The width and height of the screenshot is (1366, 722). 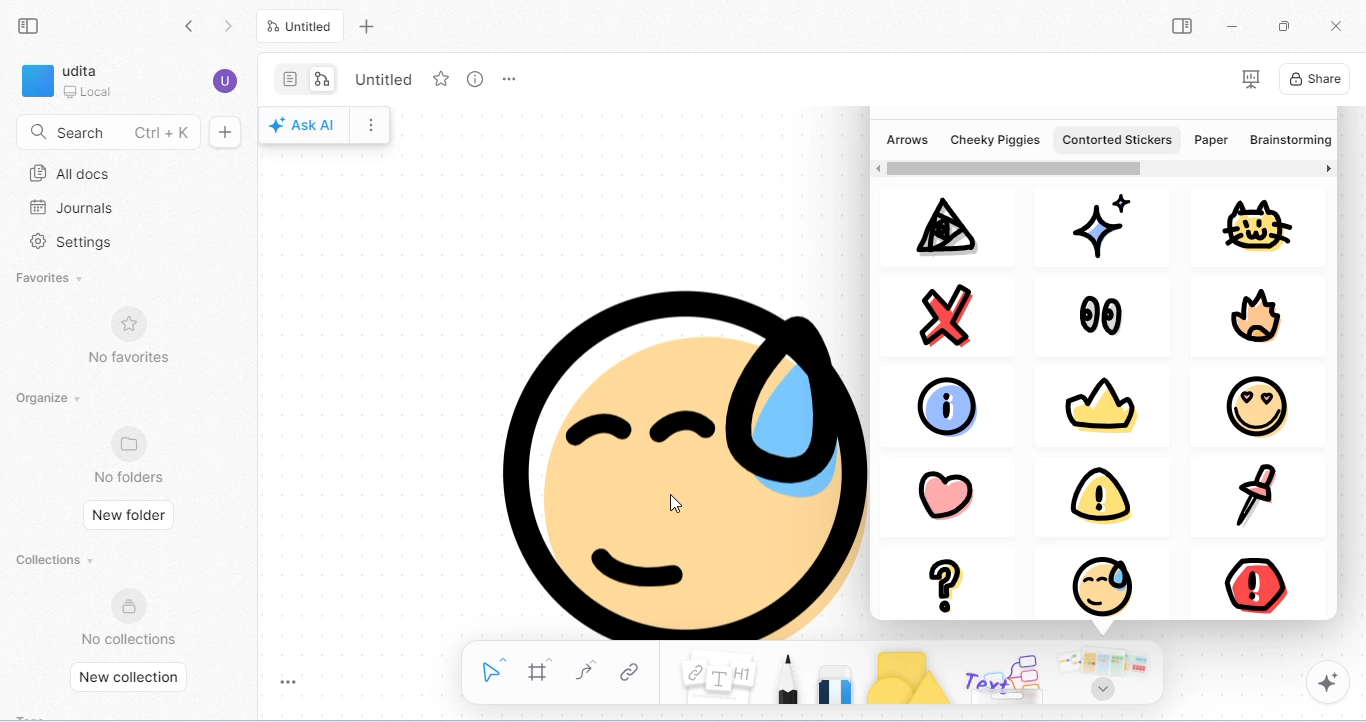 What do you see at coordinates (1250, 79) in the screenshot?
I see `presentation` at bounding box center [1250, 79].